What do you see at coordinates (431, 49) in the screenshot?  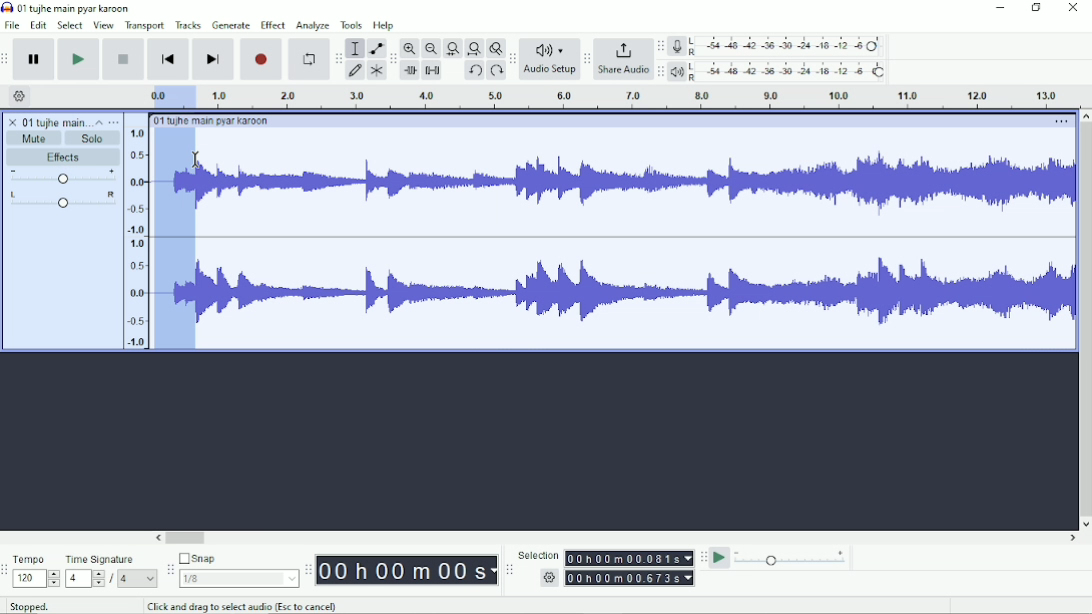 I see `Zoom Out` at bounding box center [431, 49].